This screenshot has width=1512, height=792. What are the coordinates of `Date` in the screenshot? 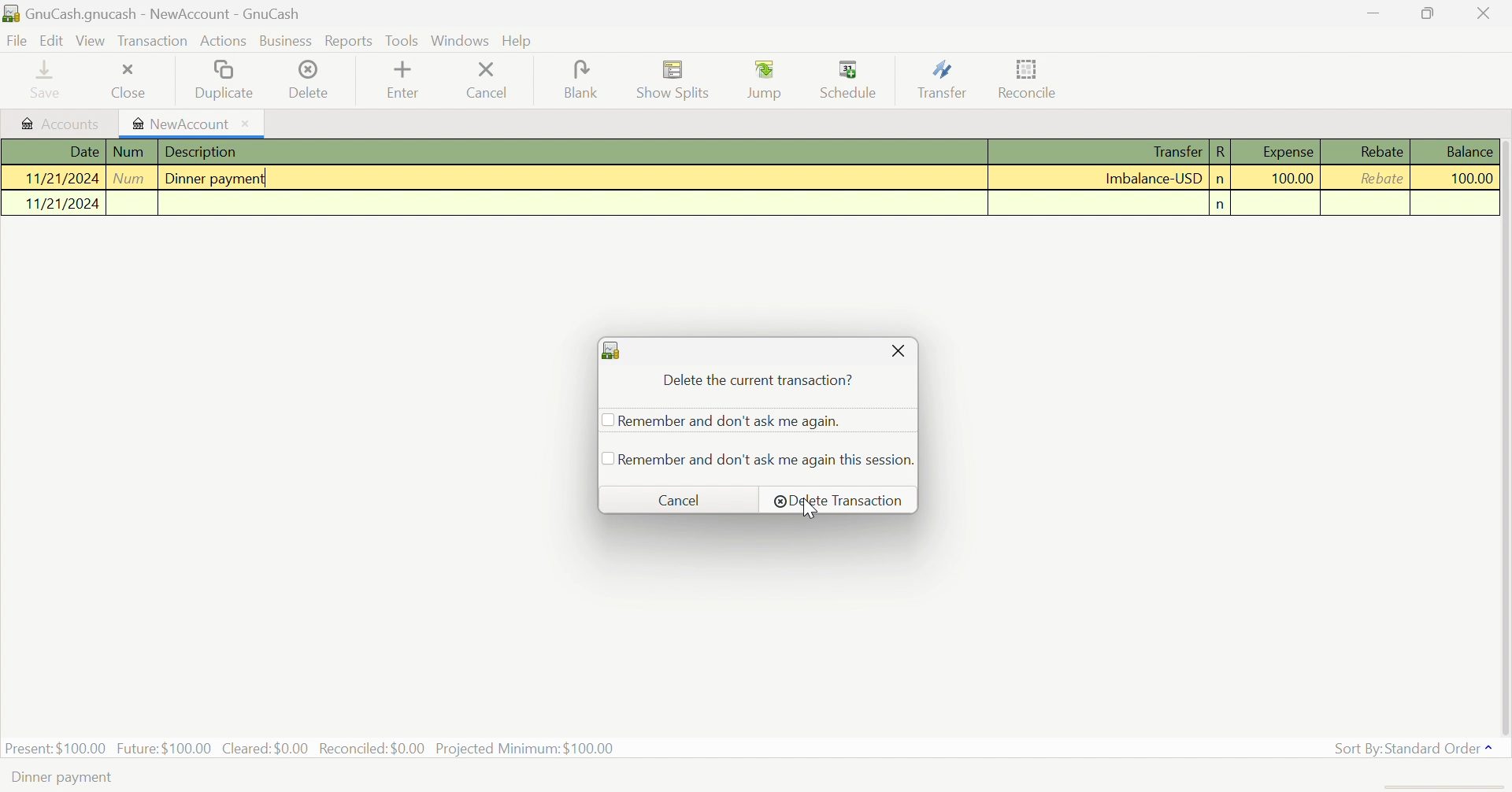 It's located at (84, 152).